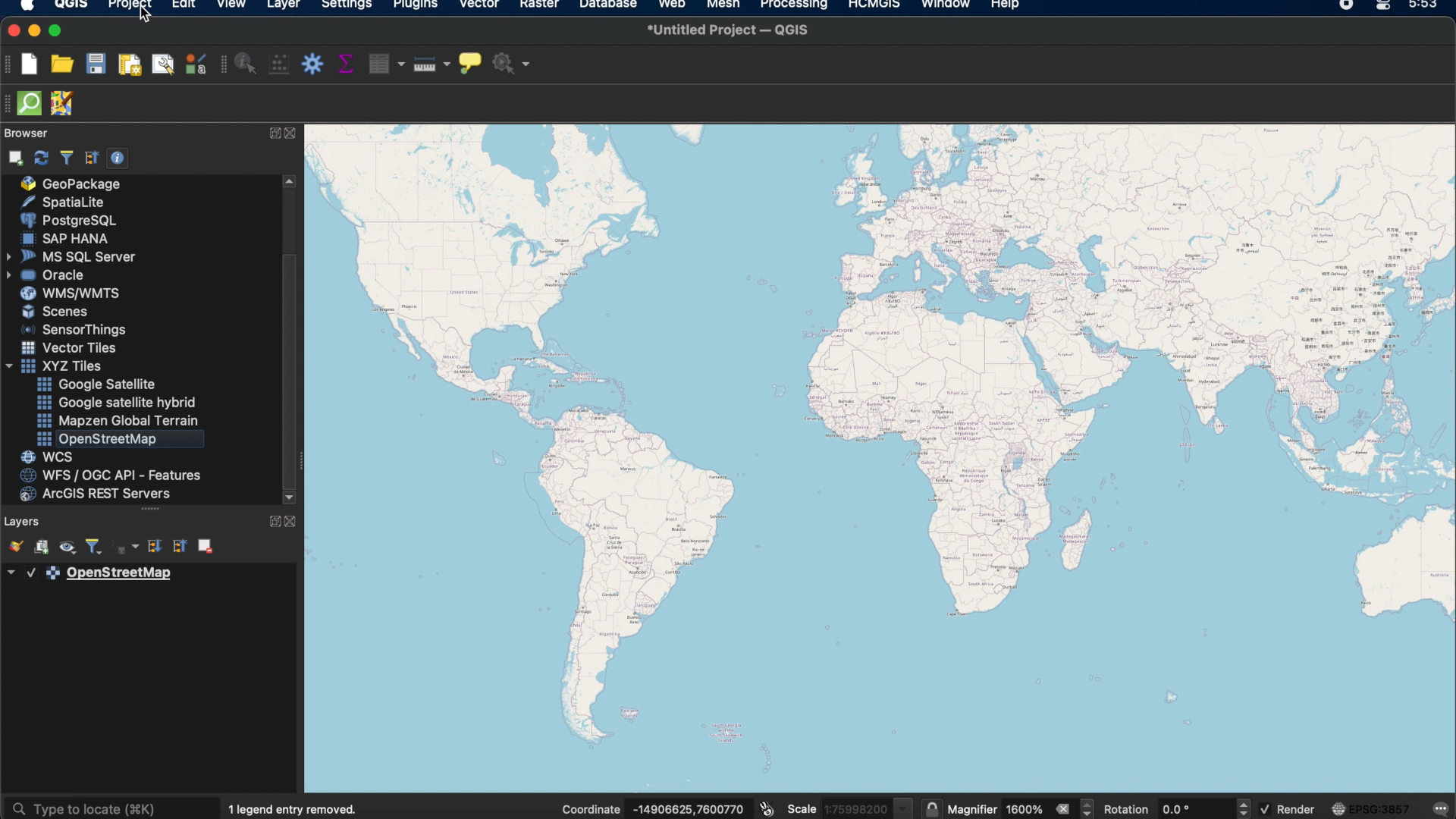  What do you see at coordinates (231, 7) in the screenshot?
I see `view` at bounding box center [231, 7].